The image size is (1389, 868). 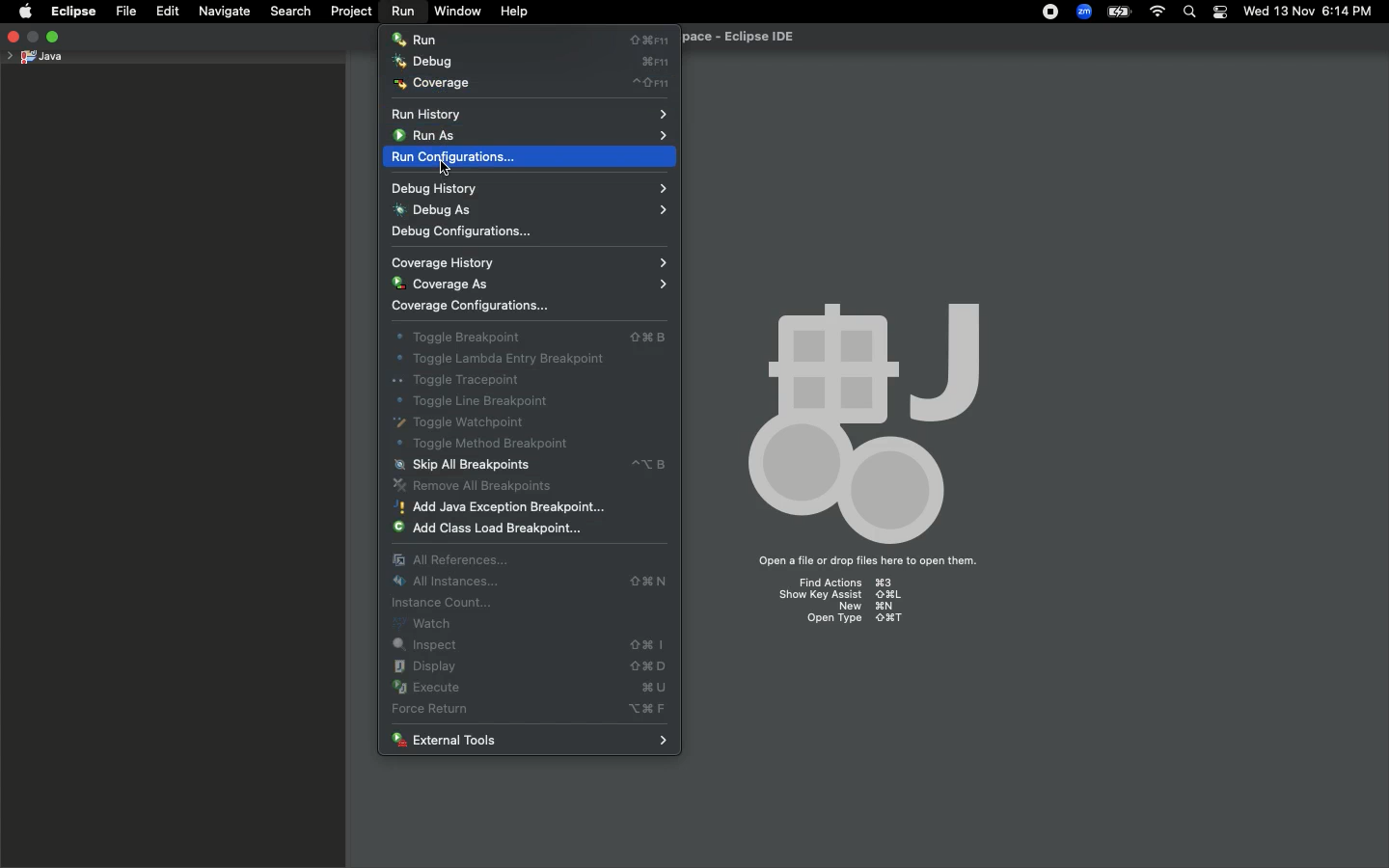 What do you see at coordinates (530, 646) in the screenshot?
I see `Inspect` at bounding box center [530, 646].